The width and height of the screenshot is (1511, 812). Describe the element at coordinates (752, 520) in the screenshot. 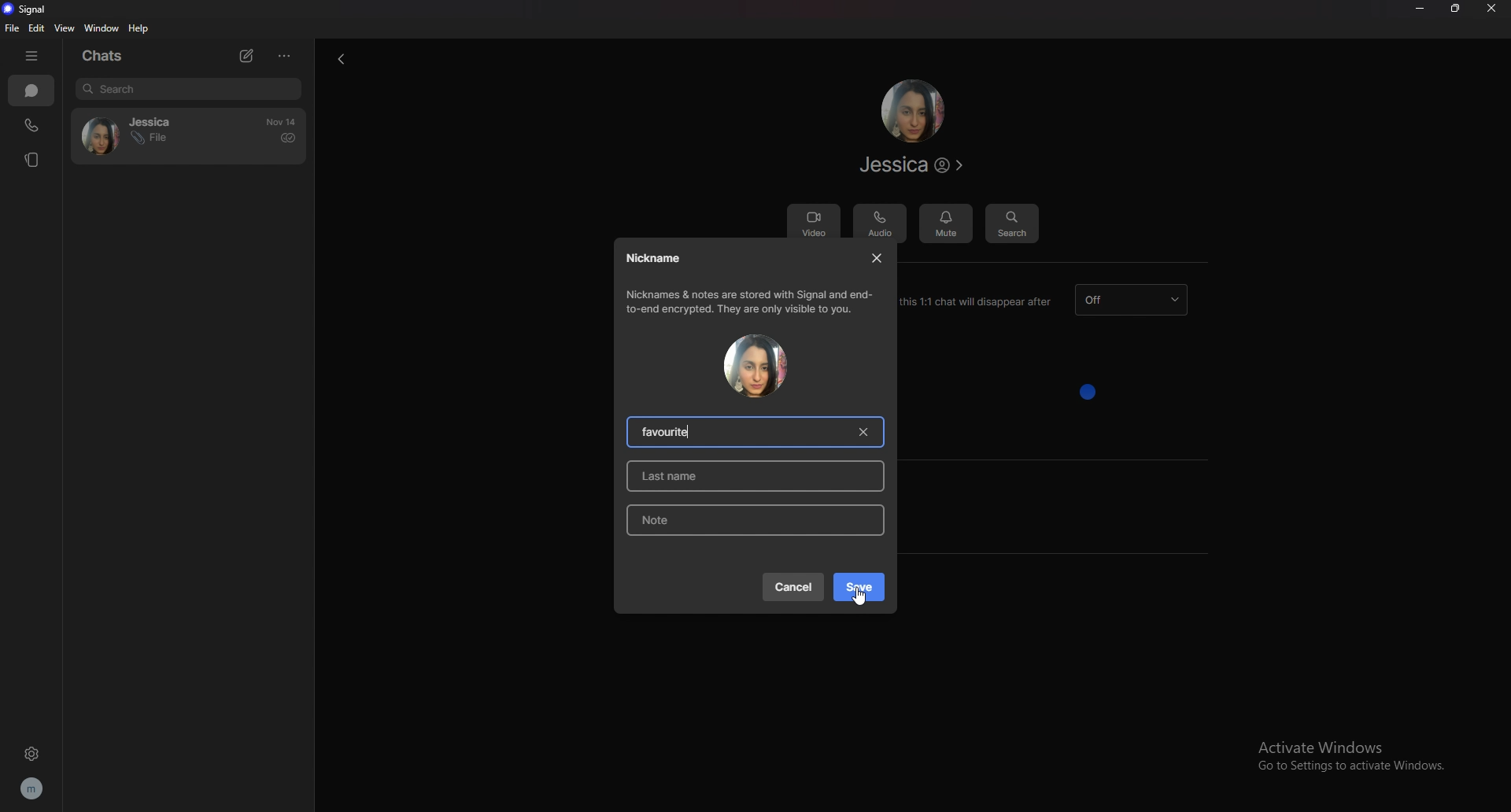

I see `note` at that location.